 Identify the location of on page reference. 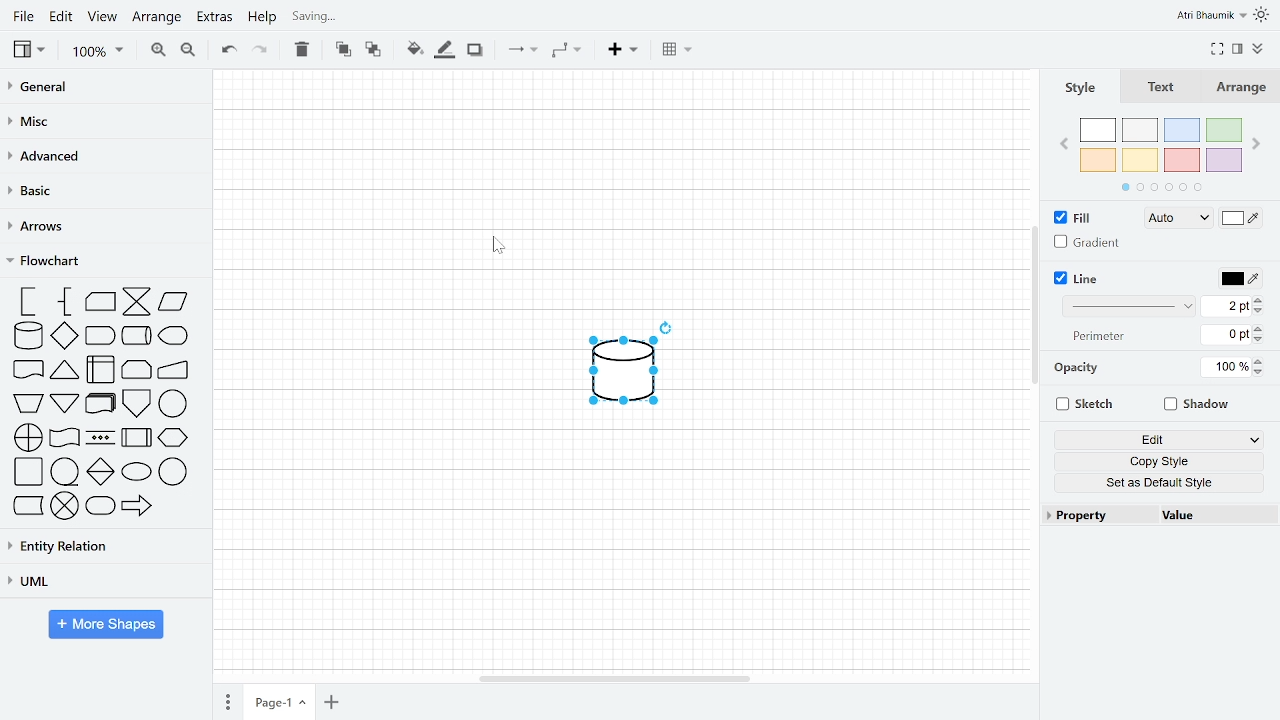
(174, 405).